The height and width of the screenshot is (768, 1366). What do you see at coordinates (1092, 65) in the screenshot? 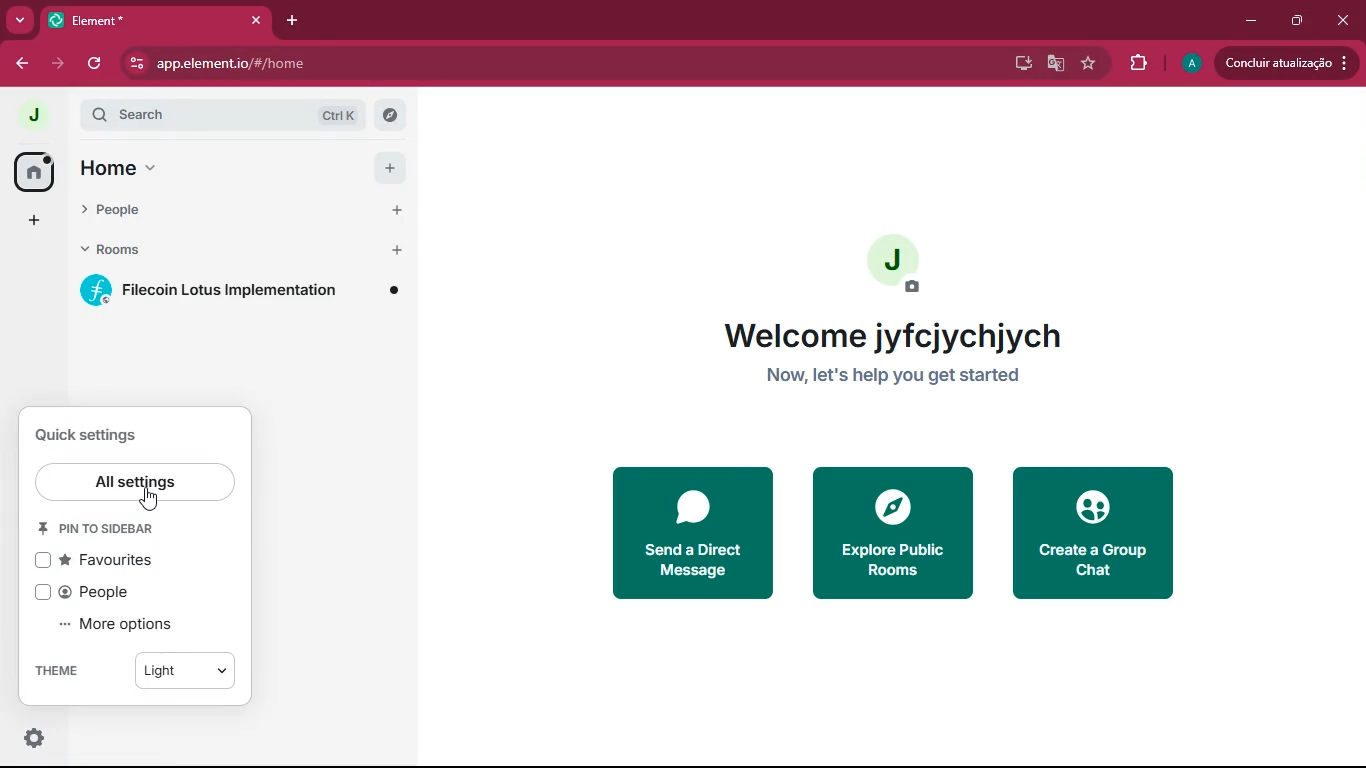
I see `favourite` at bounding box center [1092, 65].